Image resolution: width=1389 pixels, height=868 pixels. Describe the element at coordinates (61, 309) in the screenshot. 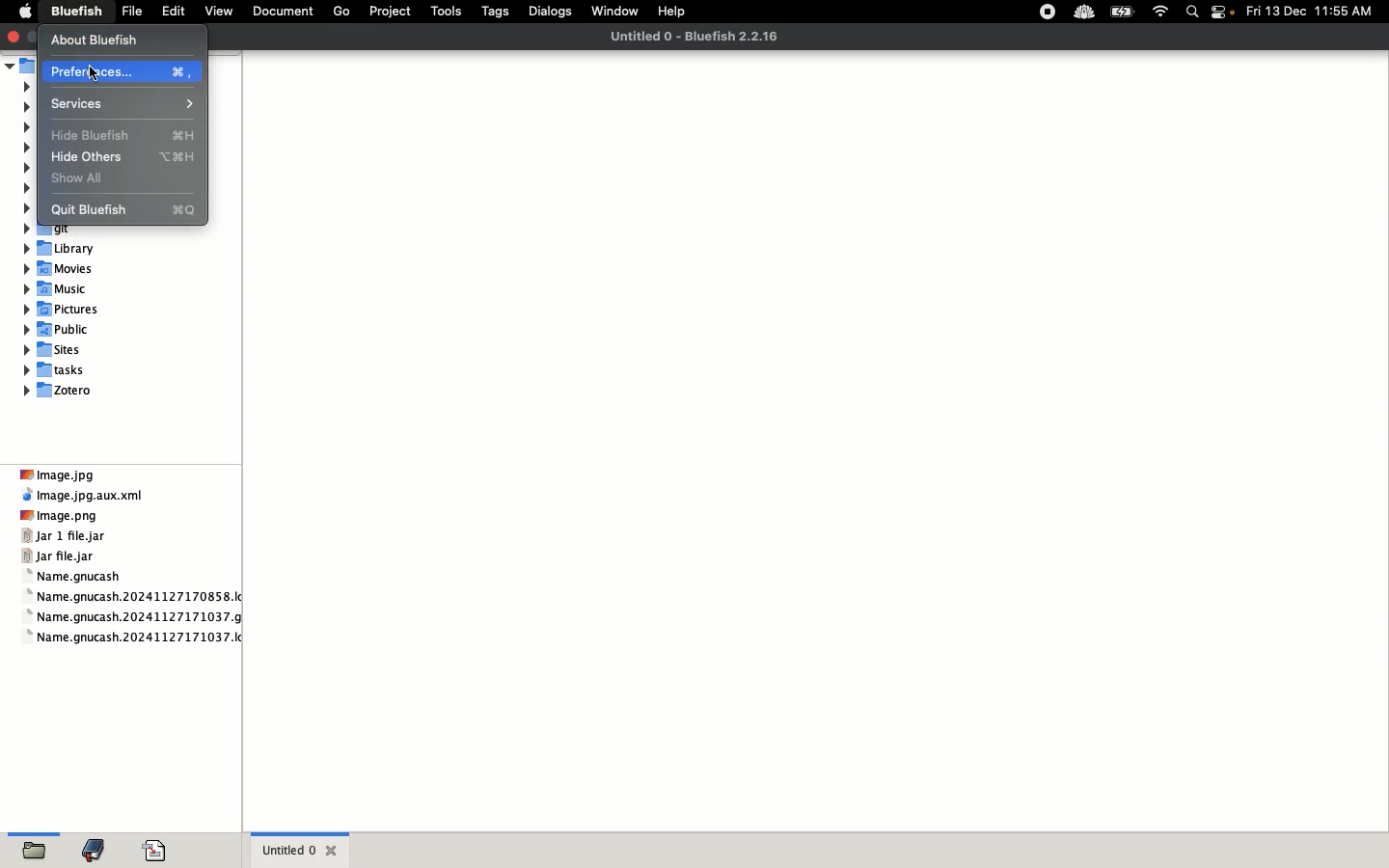

I see `picture` at that location.